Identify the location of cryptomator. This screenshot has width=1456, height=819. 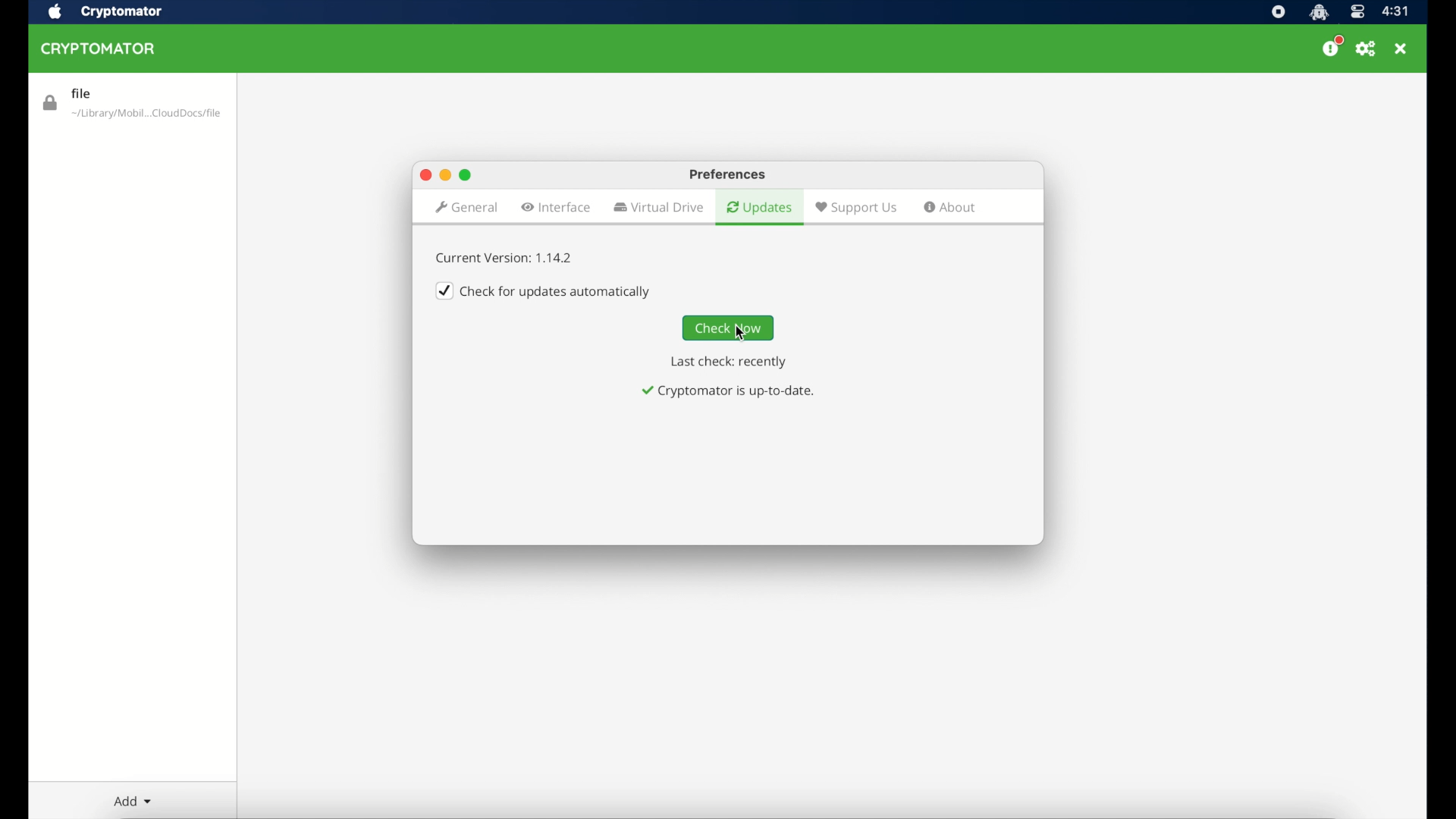
(99, 49).